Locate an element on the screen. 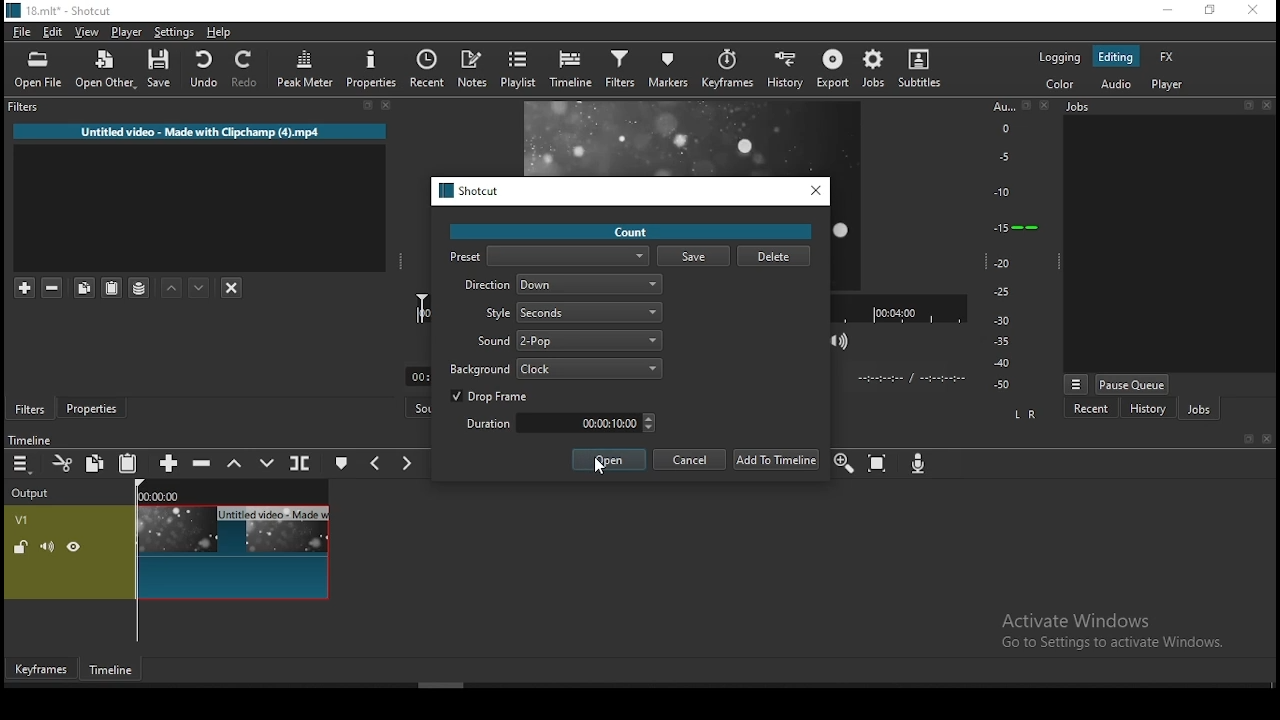 Image resolution: width=1280 pixels, height=720 pixels. view menu is located at coordinates (1075, 381).